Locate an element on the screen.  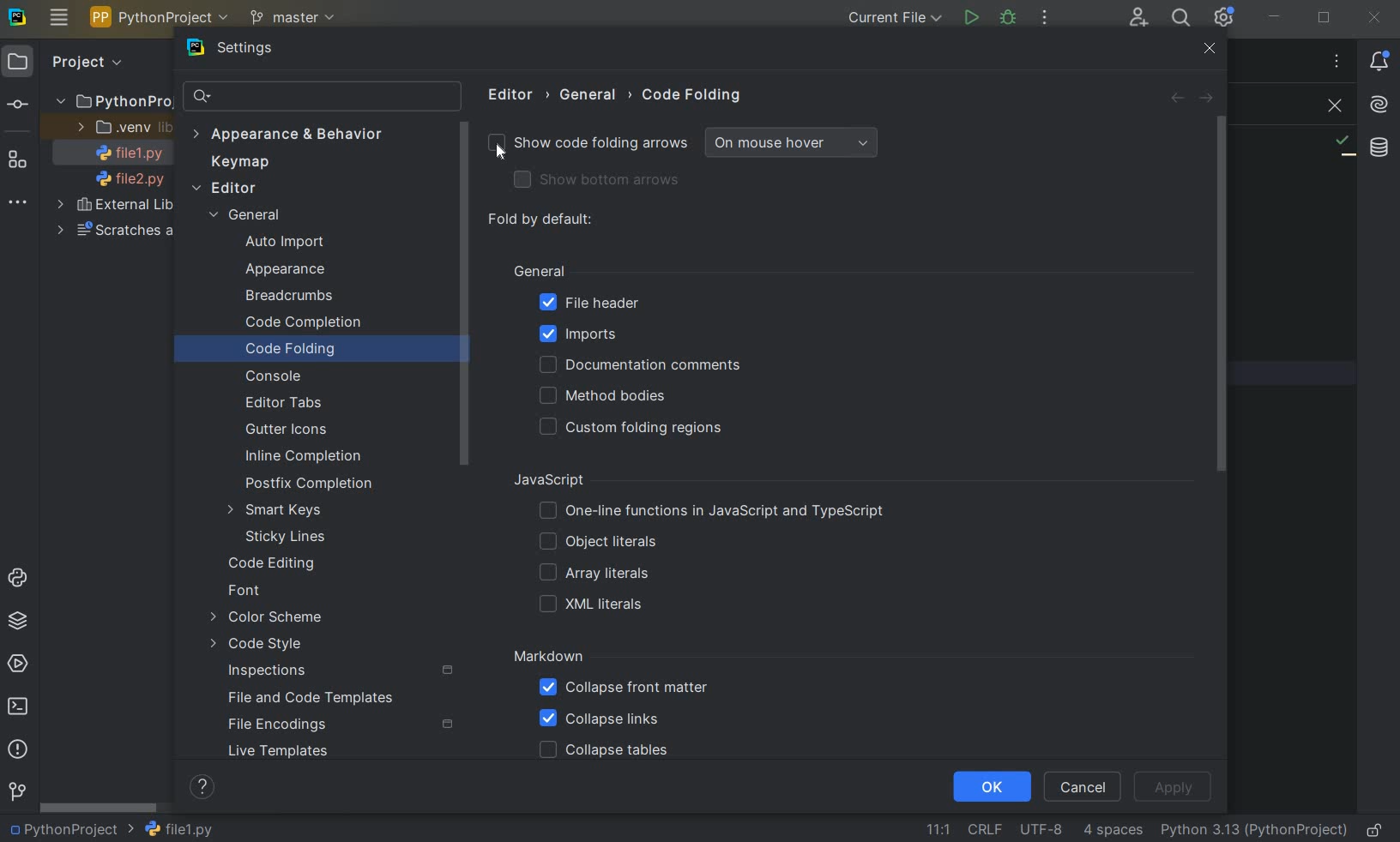
XML LITERALS is located at coordinates (594, 606).